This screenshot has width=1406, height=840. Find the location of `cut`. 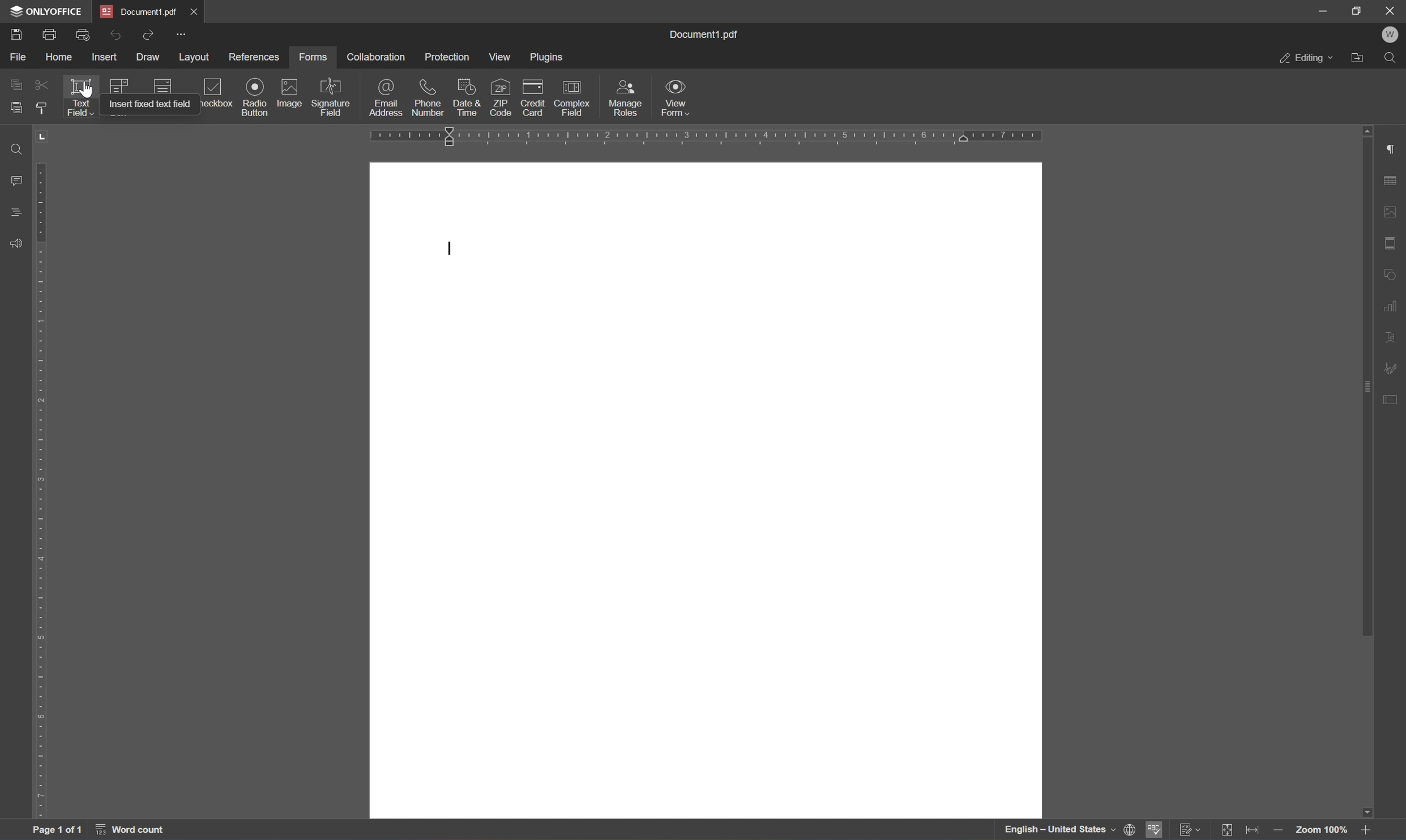

cut is located at coordinates (41, 85).